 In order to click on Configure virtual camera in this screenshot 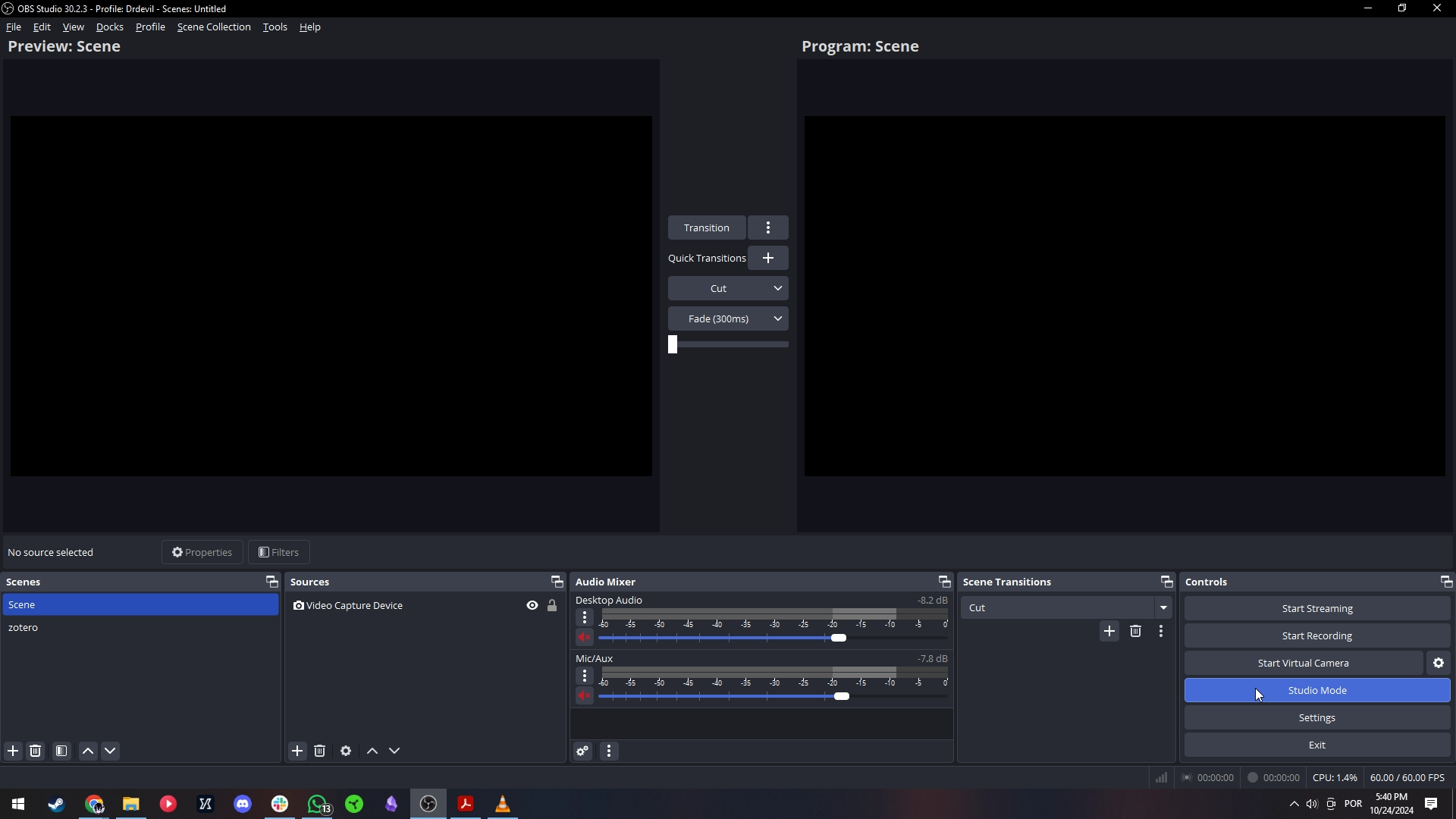, I will do `click(1439, 664)`.